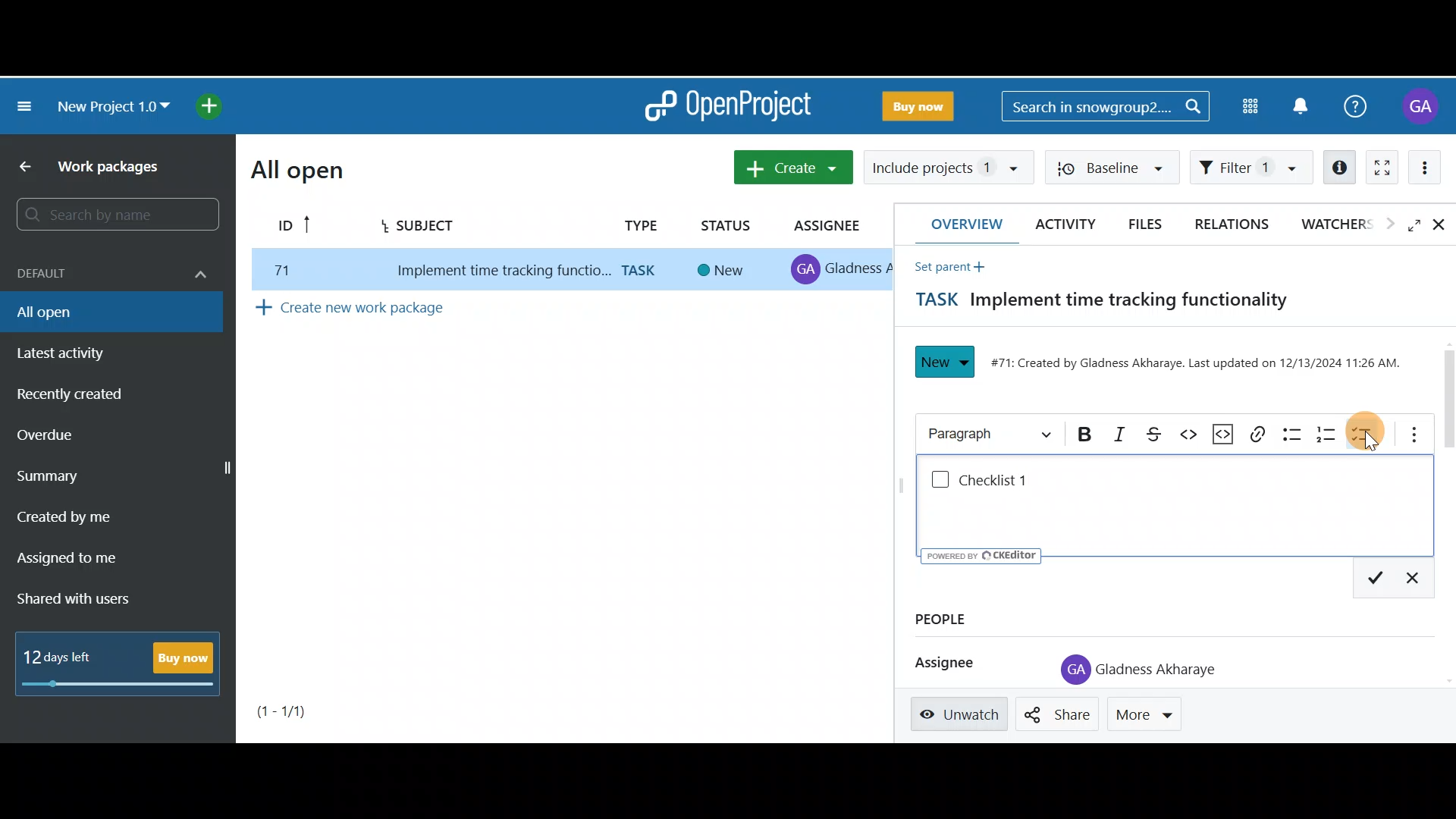  What do you see at coordinates (1150, 711) in the screenshot?
I see `More` at bounding box center [1150, 711].